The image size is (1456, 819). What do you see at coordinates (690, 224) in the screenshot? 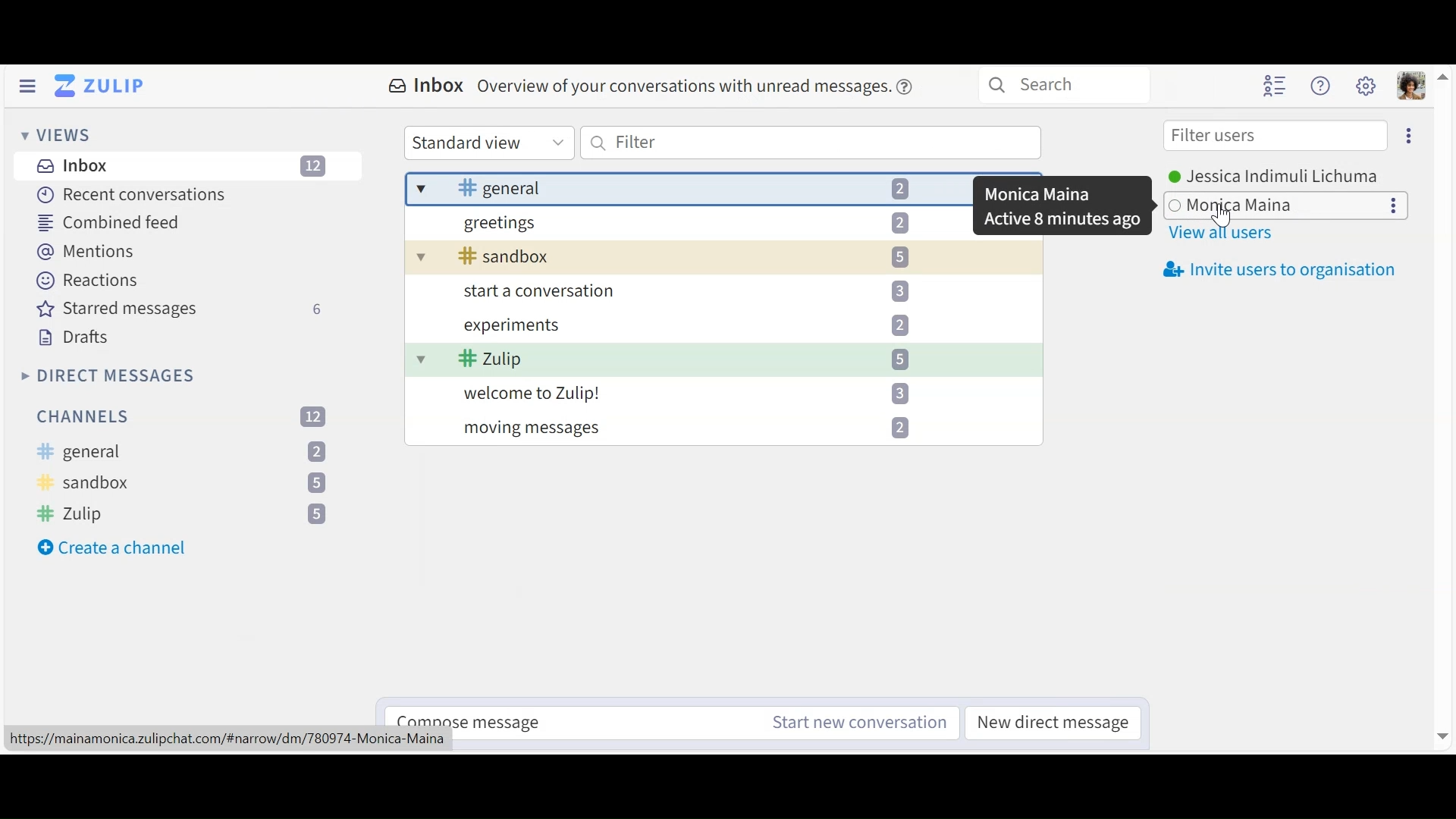
I see `message` at bounding box center [690, 224].